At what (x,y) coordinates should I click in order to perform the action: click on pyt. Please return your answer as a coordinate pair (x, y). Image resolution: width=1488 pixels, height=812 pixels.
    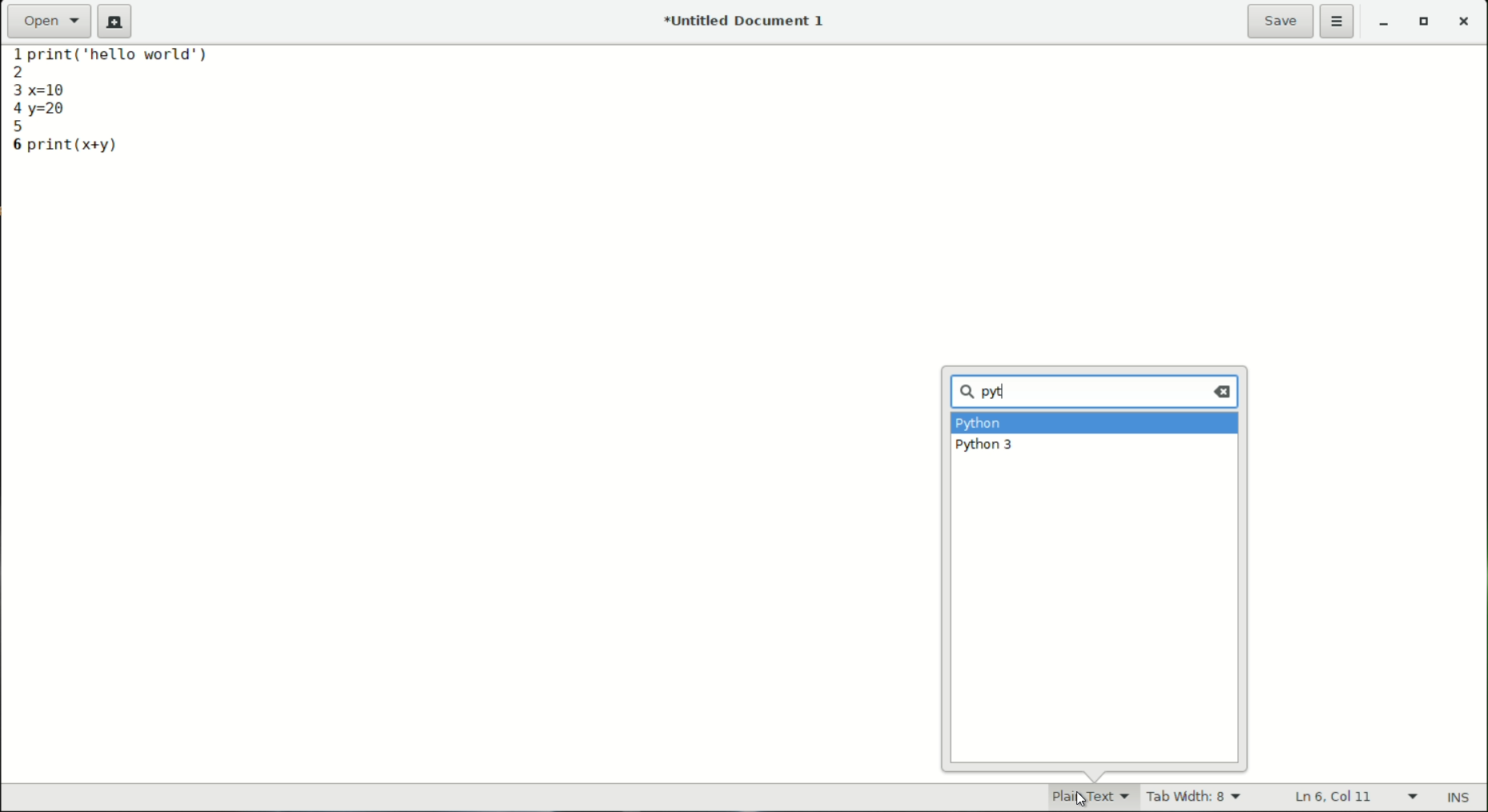
    Looking at the image, I should click on (987, 393).